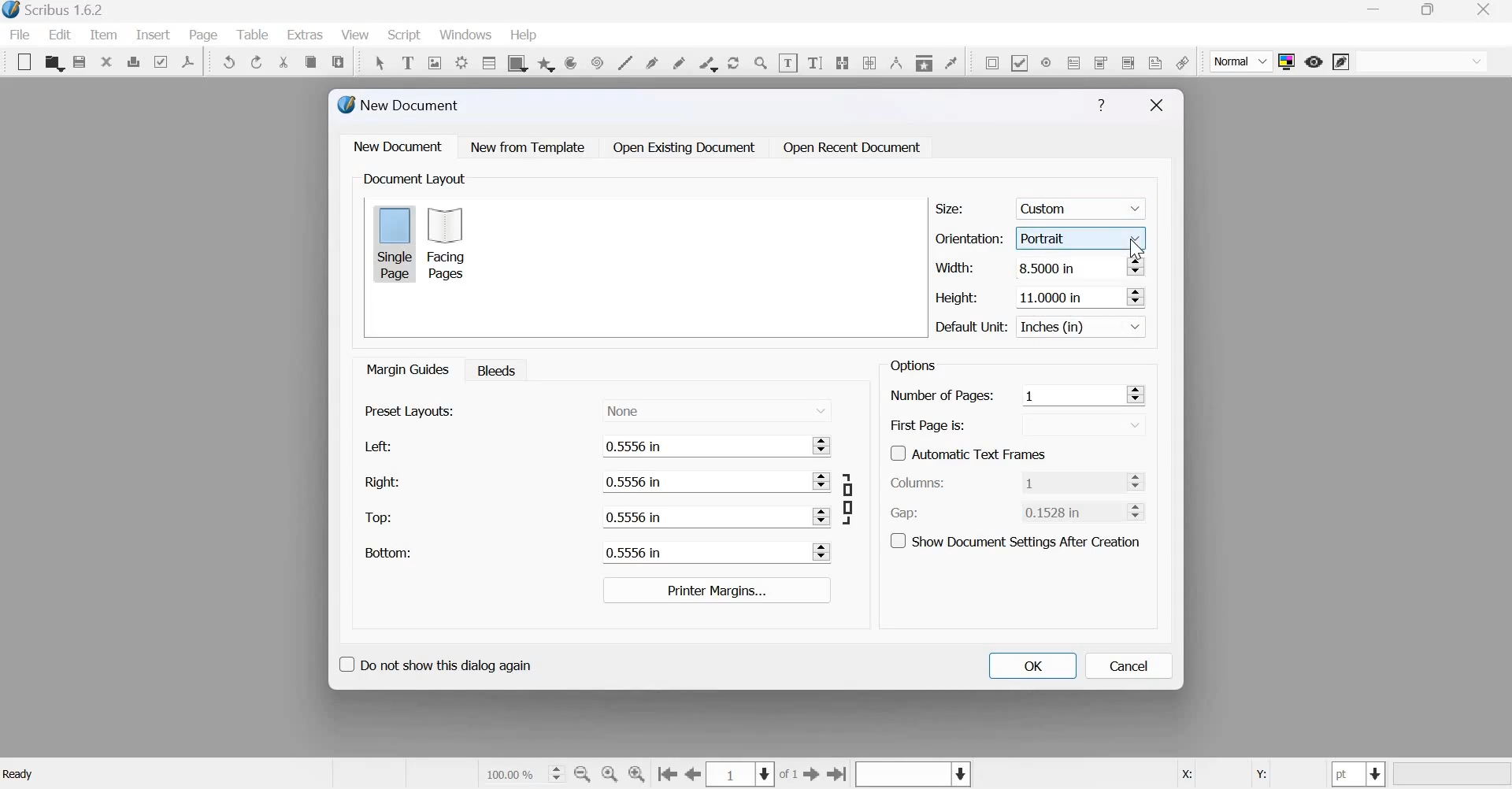 The image size is (1512, 789). I want to click on Do not show this dialog again, so click(434, 662).